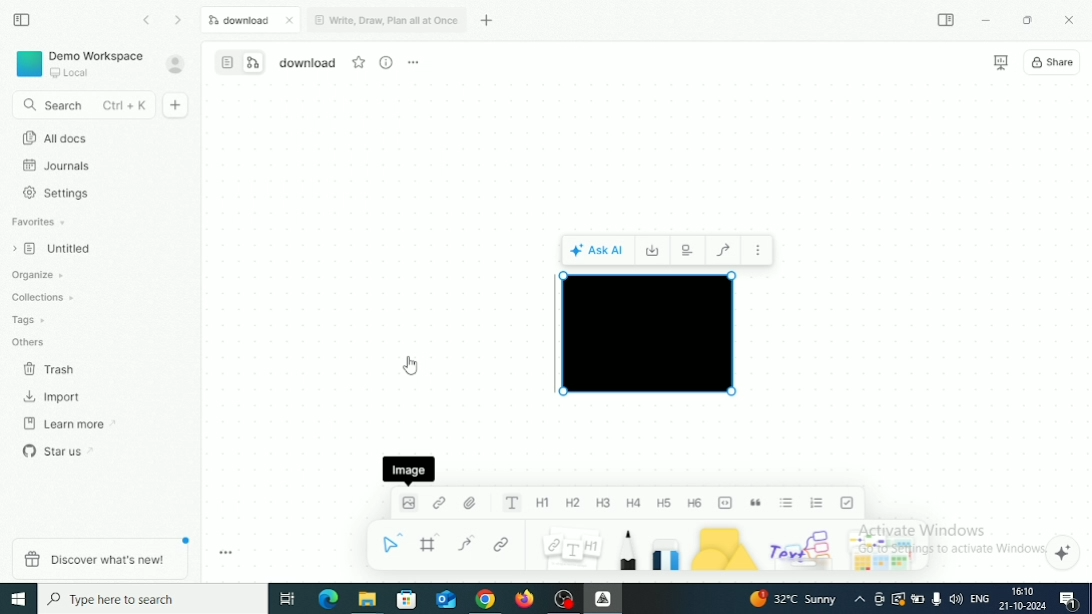 The height and width of the screenshot is (614, 1092). I want to click on Learn more, so click(71, 423).